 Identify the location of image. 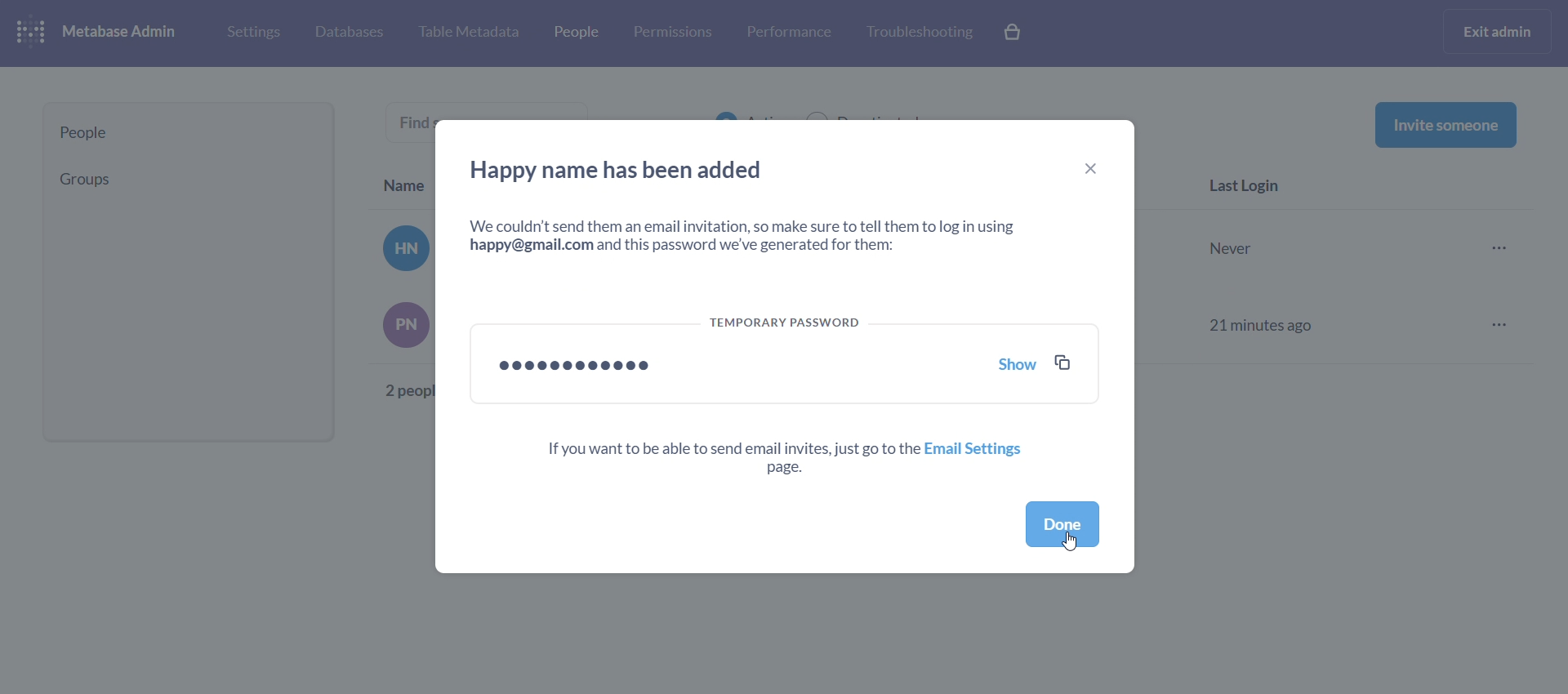
(400, 249).